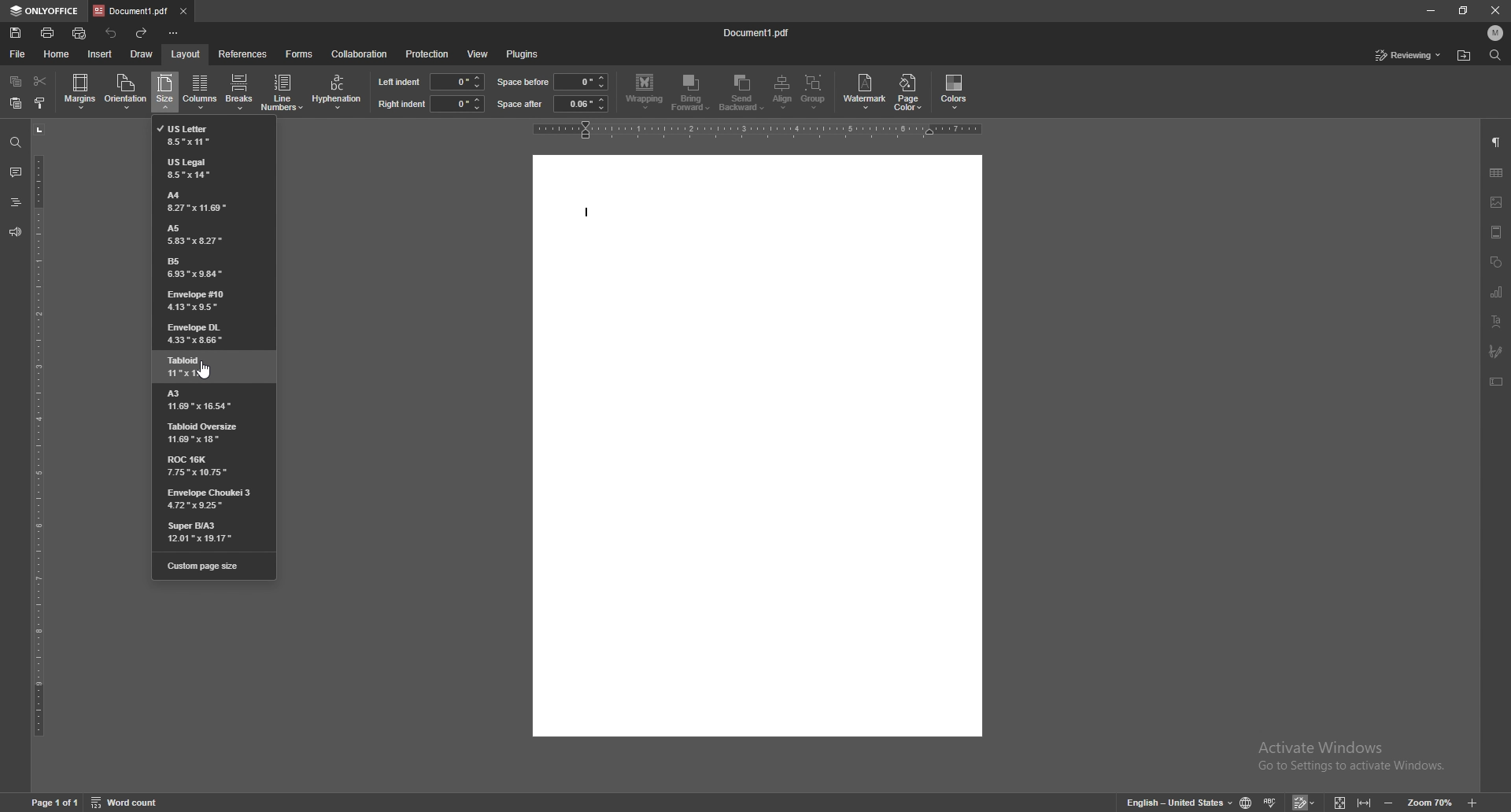 This screenshot has width=1511, height=812. Describe the element at coordinates (580, 212) in the screenshot. I see `type` at that location.